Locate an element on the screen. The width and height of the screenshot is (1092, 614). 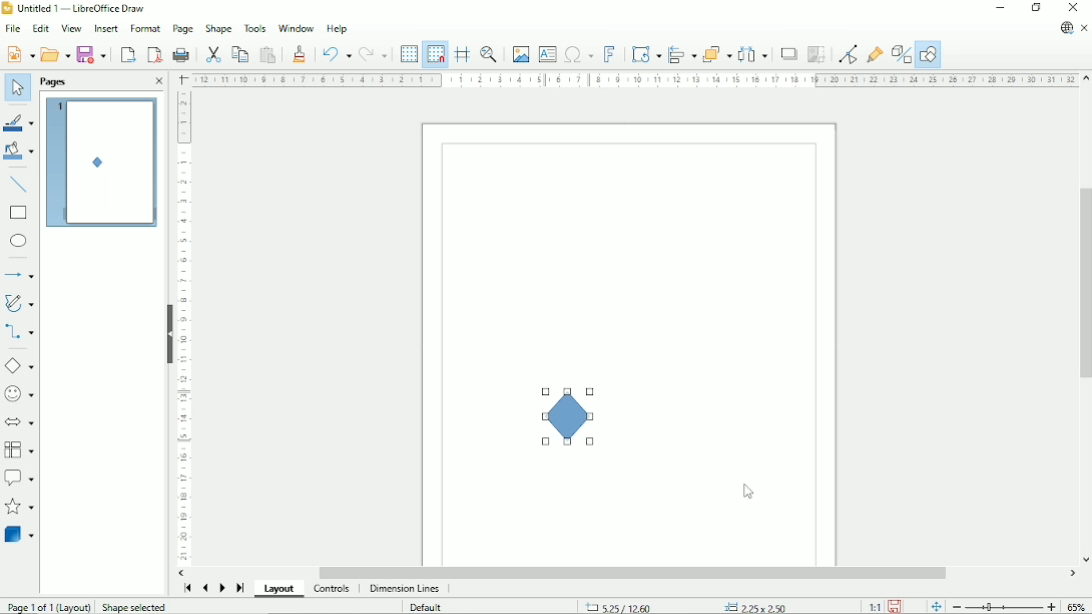
Vertical scroll button is located at coordinates (1085, 559).